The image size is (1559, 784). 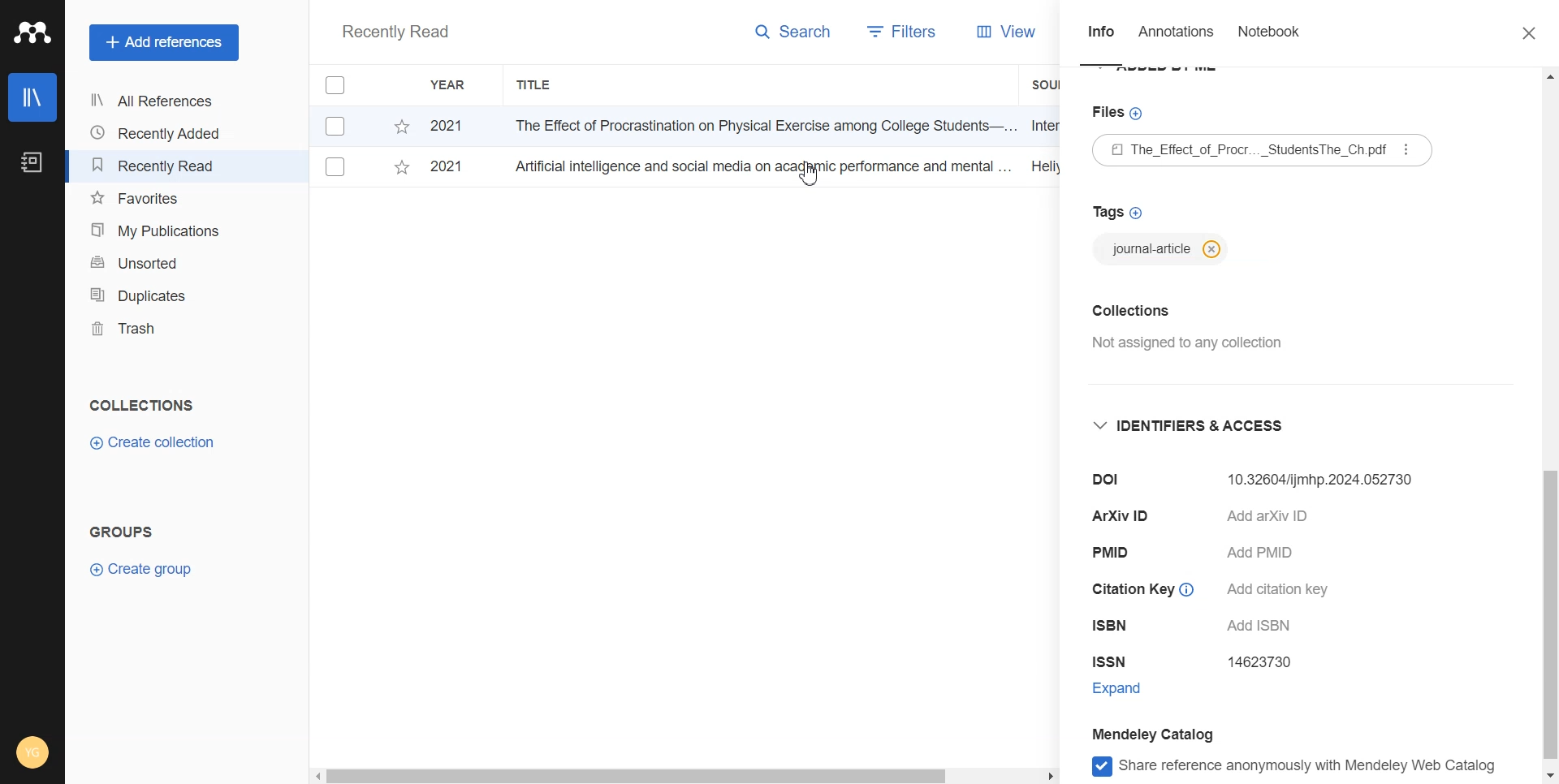 What do you see at coordinates (158, 133) in the screenshot?
I see `Recently Added` at bounding box center [158, 133].